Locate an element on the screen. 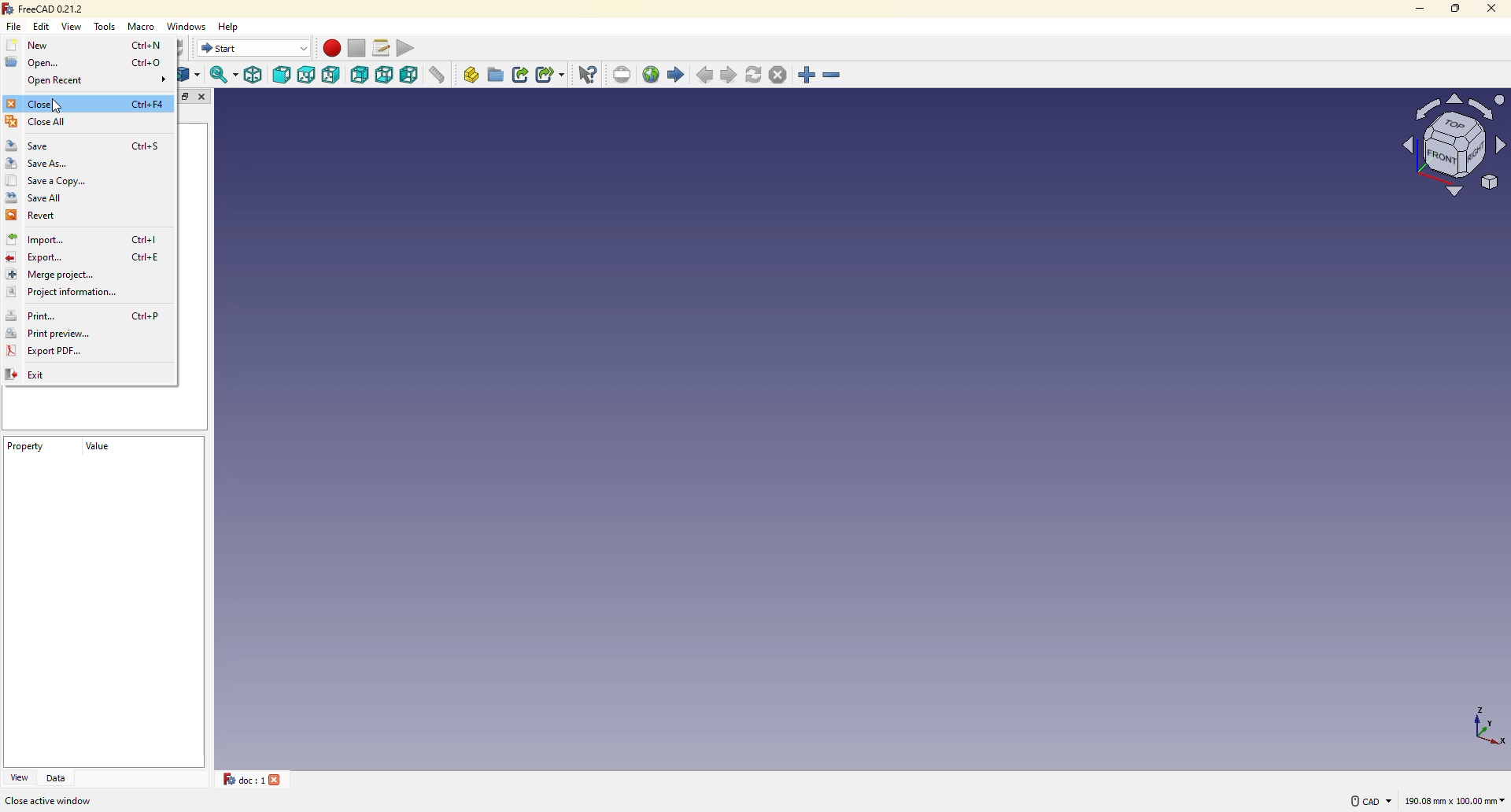 Image resolution: width=1511 pixels, height=812 pixels. merge prject is located at coordinates (47, 275).